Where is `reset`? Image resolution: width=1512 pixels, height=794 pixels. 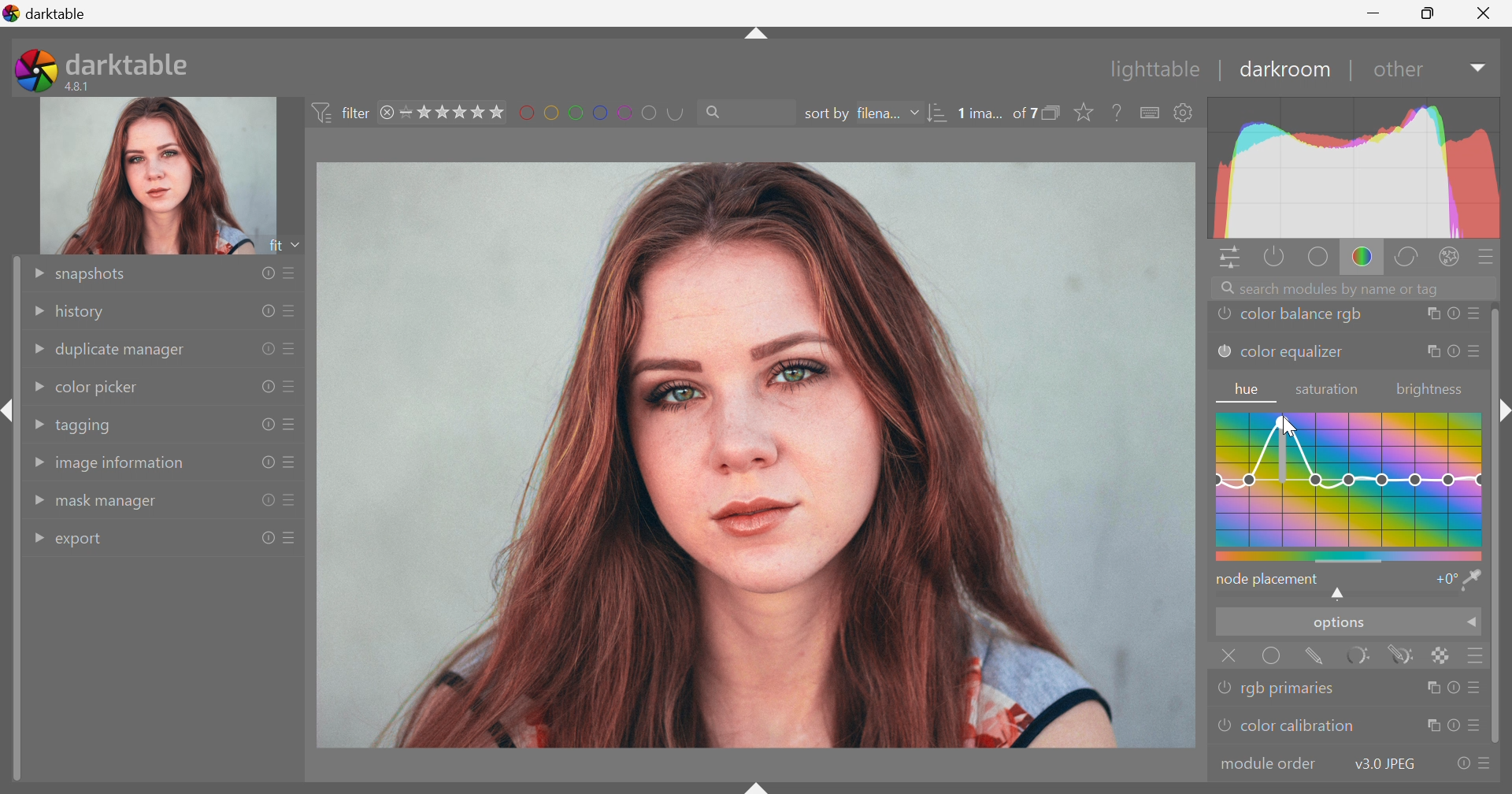 reset is located at coordinates (263, 387).